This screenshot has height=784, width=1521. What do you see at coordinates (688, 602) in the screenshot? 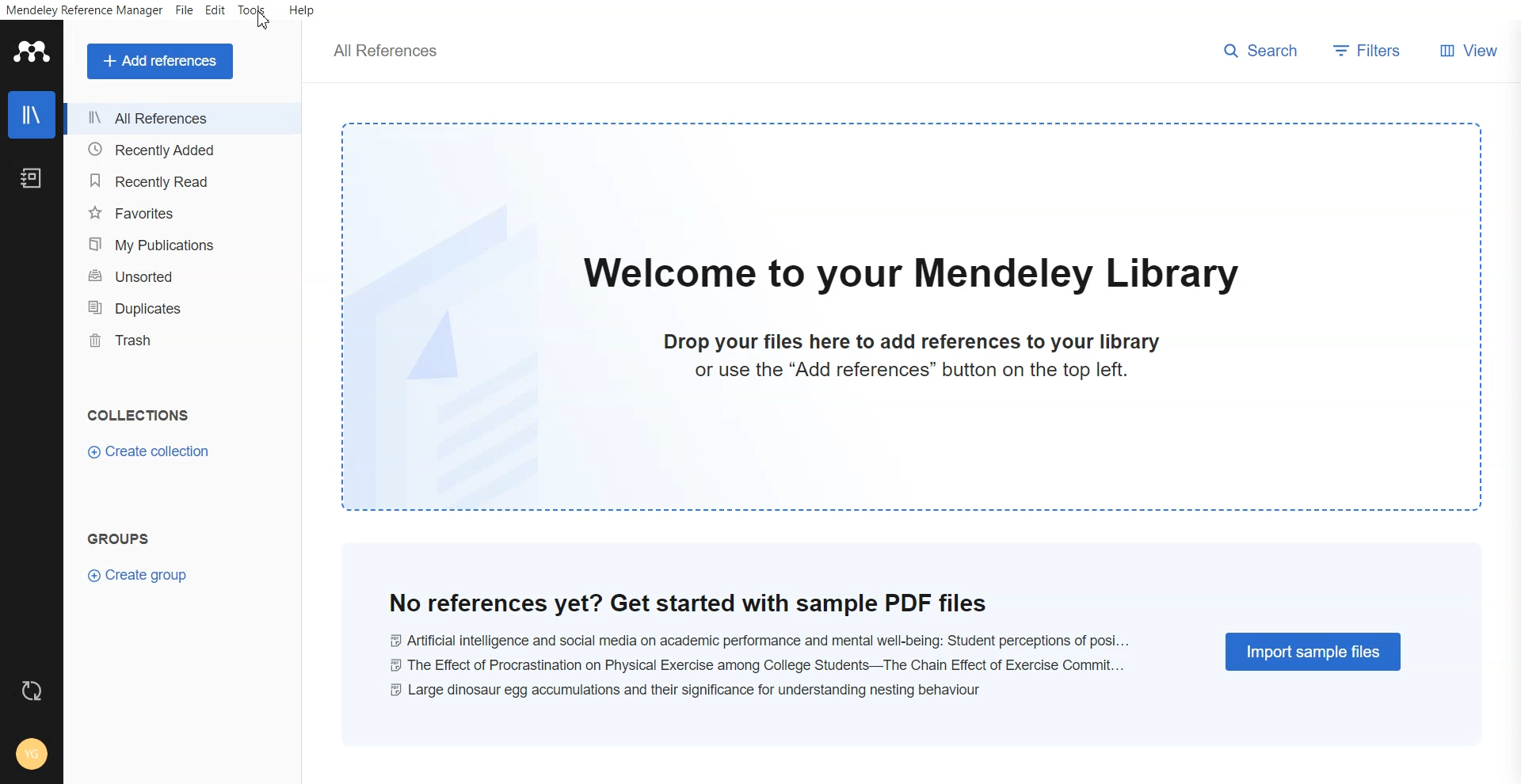
I see `no references yet? get started with sample PDF files` at bounding box center [688, 602].